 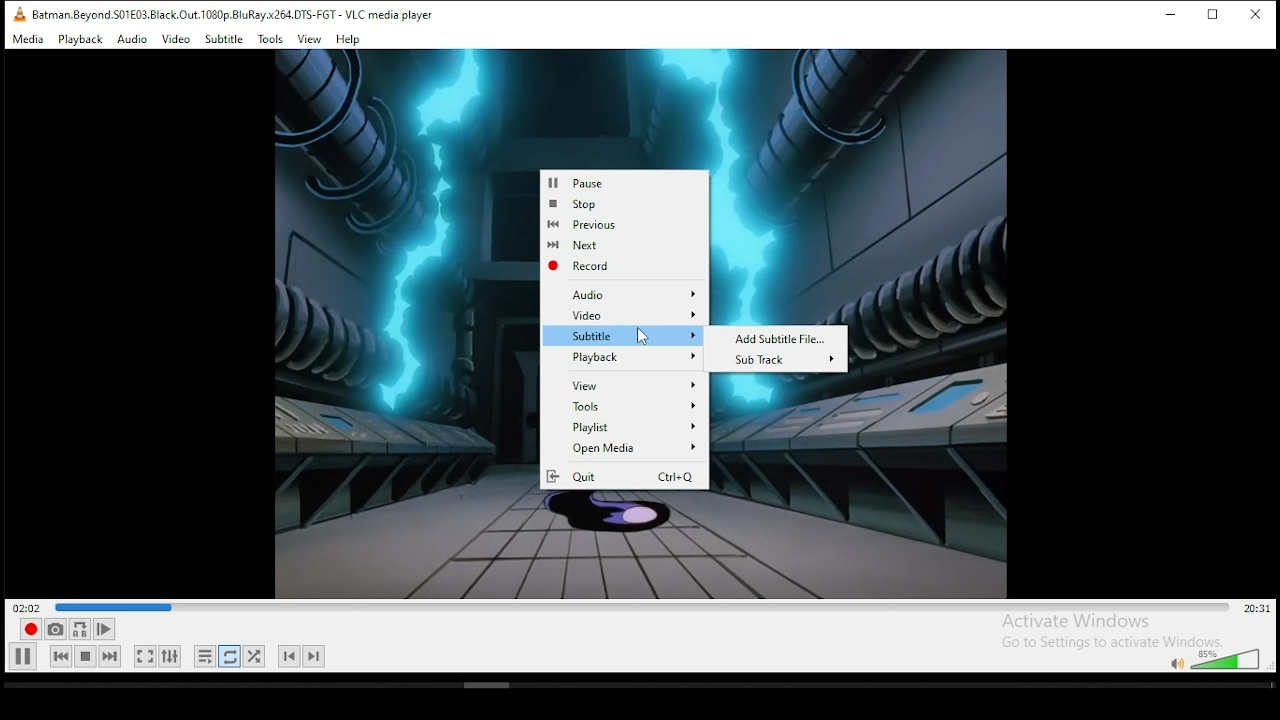 What do you see at coordinates (386, 326) in the screenshot?
I see `video preview` at bounding box center [386, 326].